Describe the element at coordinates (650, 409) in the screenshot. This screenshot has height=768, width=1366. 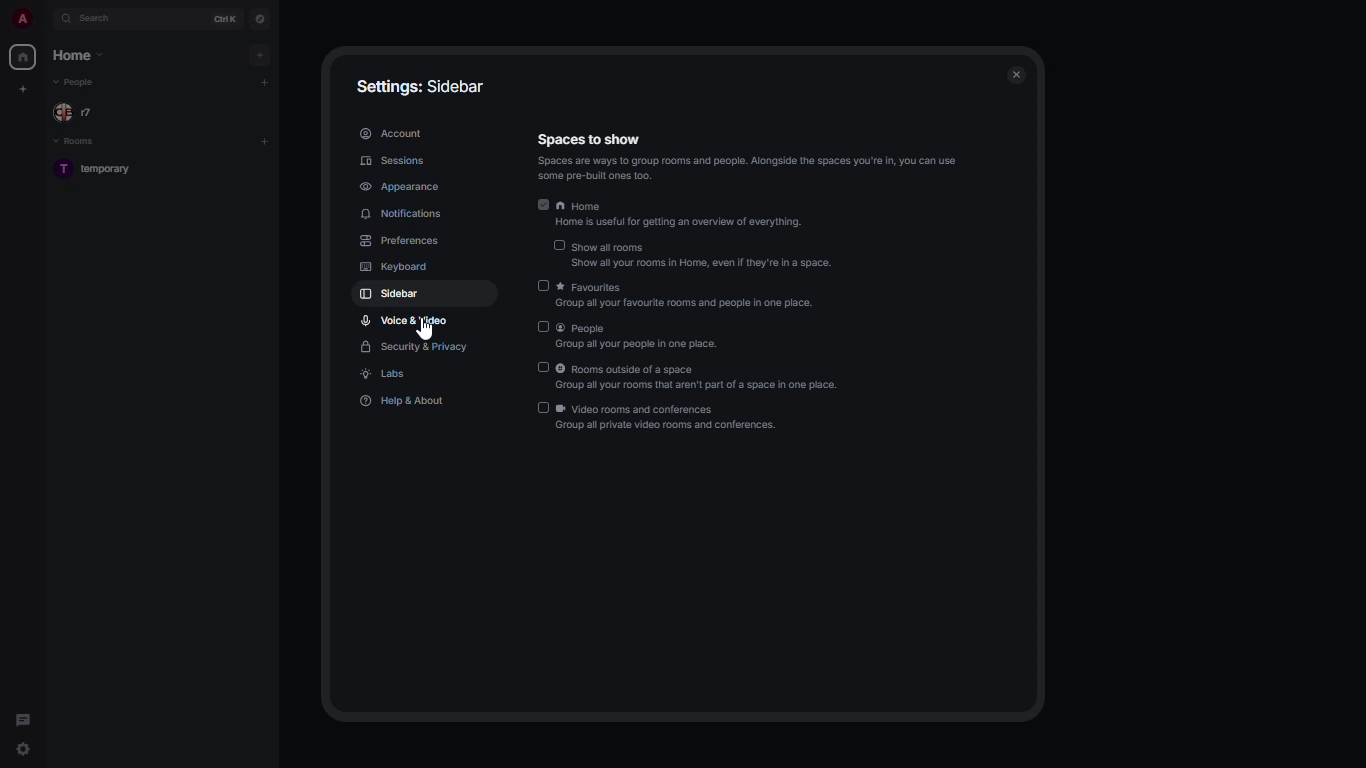
I see `video rooms and conferences` at that location.